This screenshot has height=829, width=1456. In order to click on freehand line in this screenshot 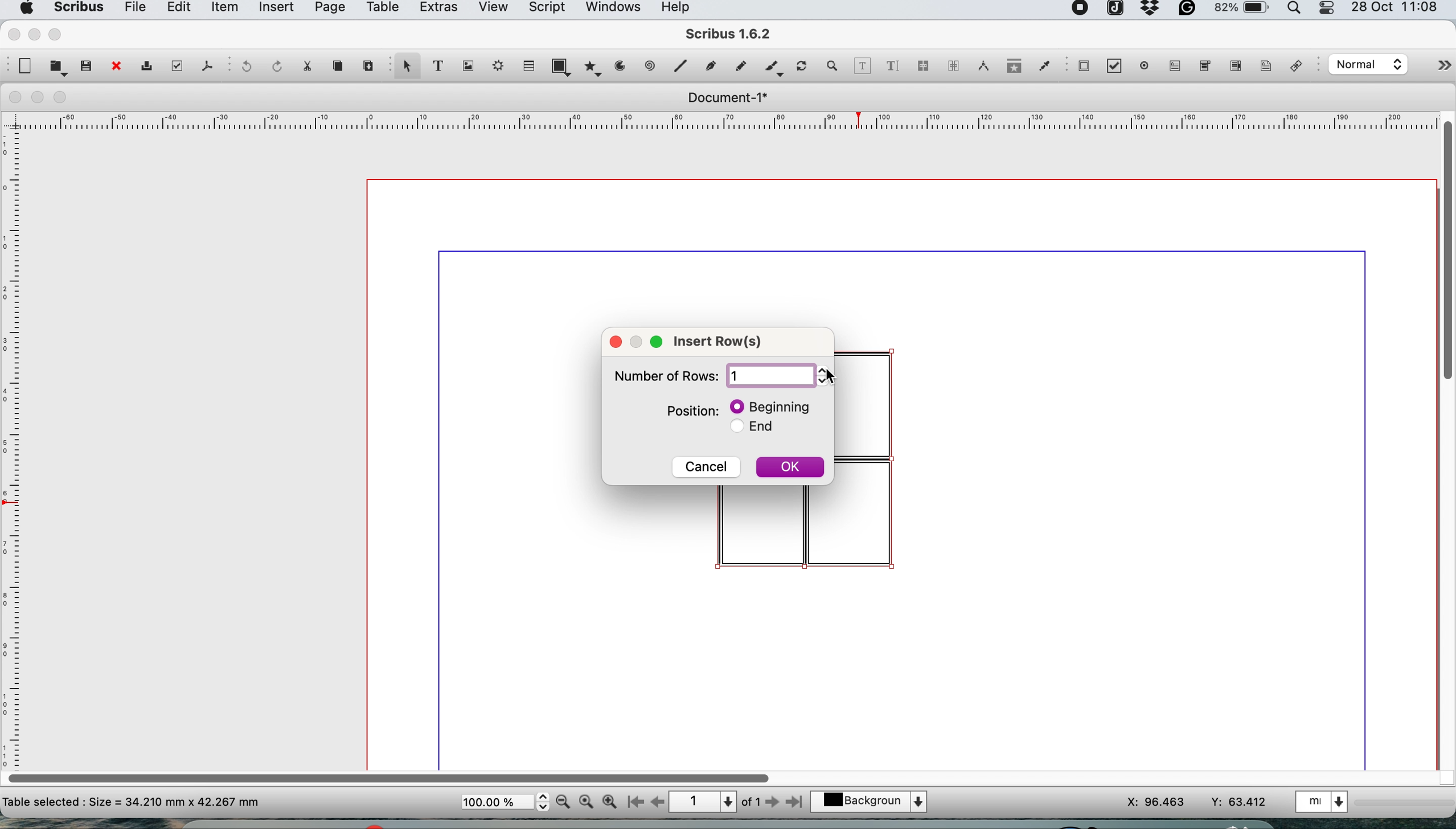, I will do `click(738, 66)`.